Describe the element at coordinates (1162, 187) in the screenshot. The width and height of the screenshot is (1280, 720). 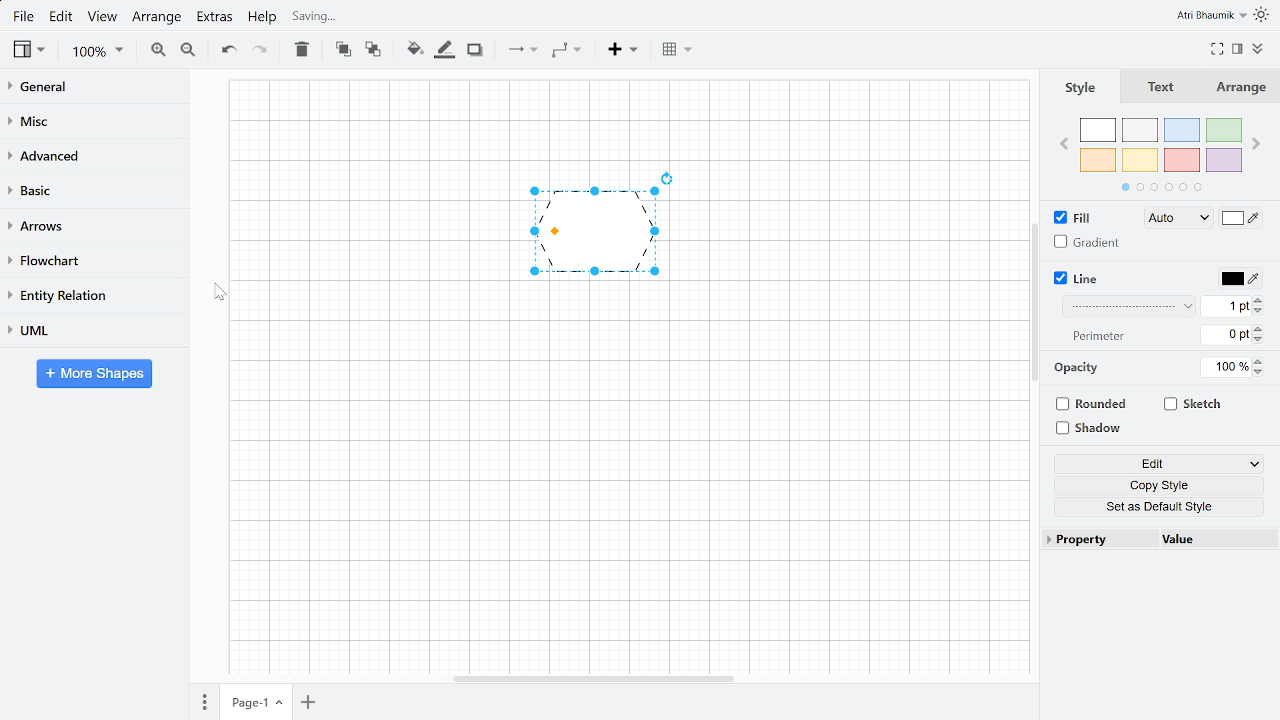
I see `Indicates more section of colours to choose from` at that location.